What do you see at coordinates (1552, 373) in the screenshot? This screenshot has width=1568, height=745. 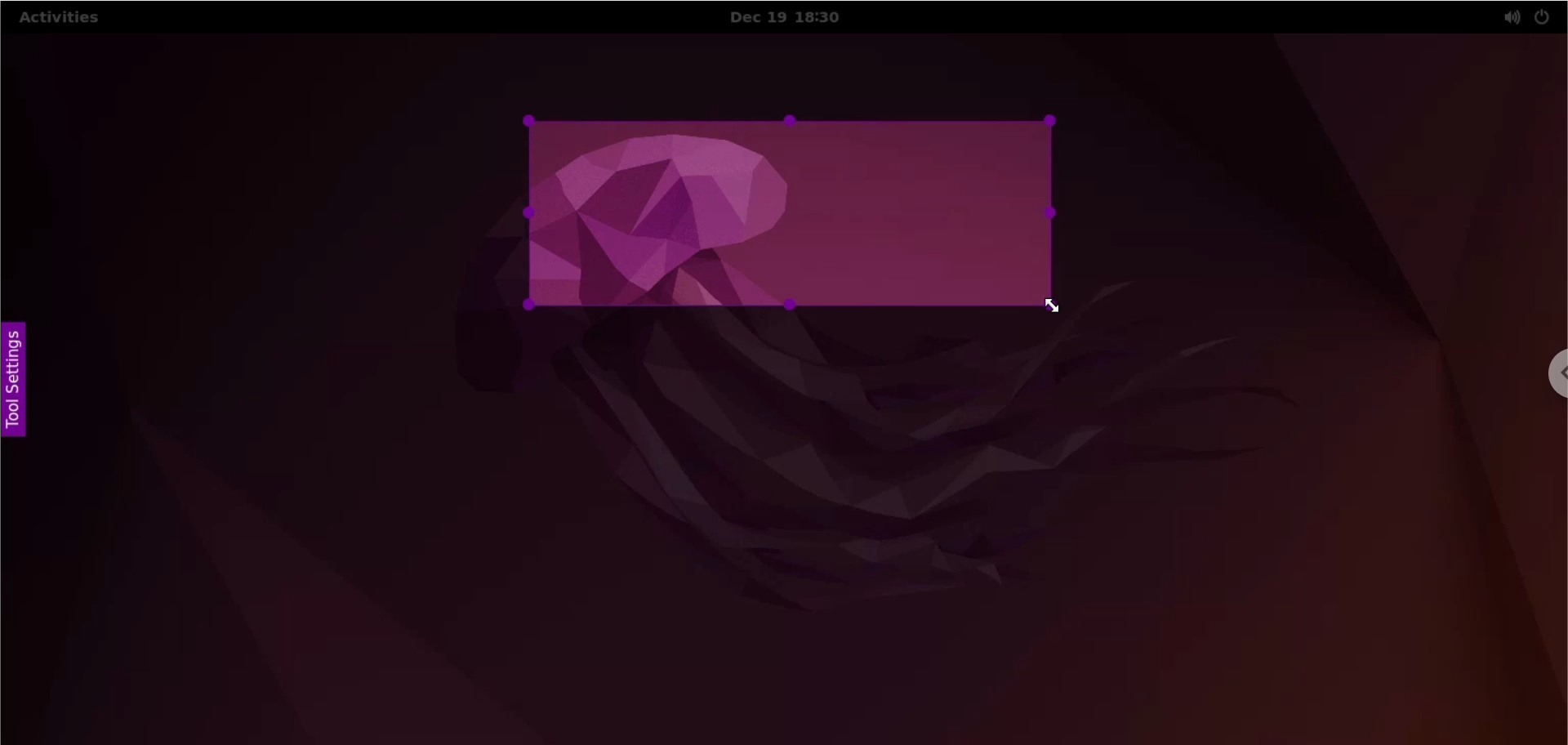 I see `chrome options` at bounding box center [1552, 373].